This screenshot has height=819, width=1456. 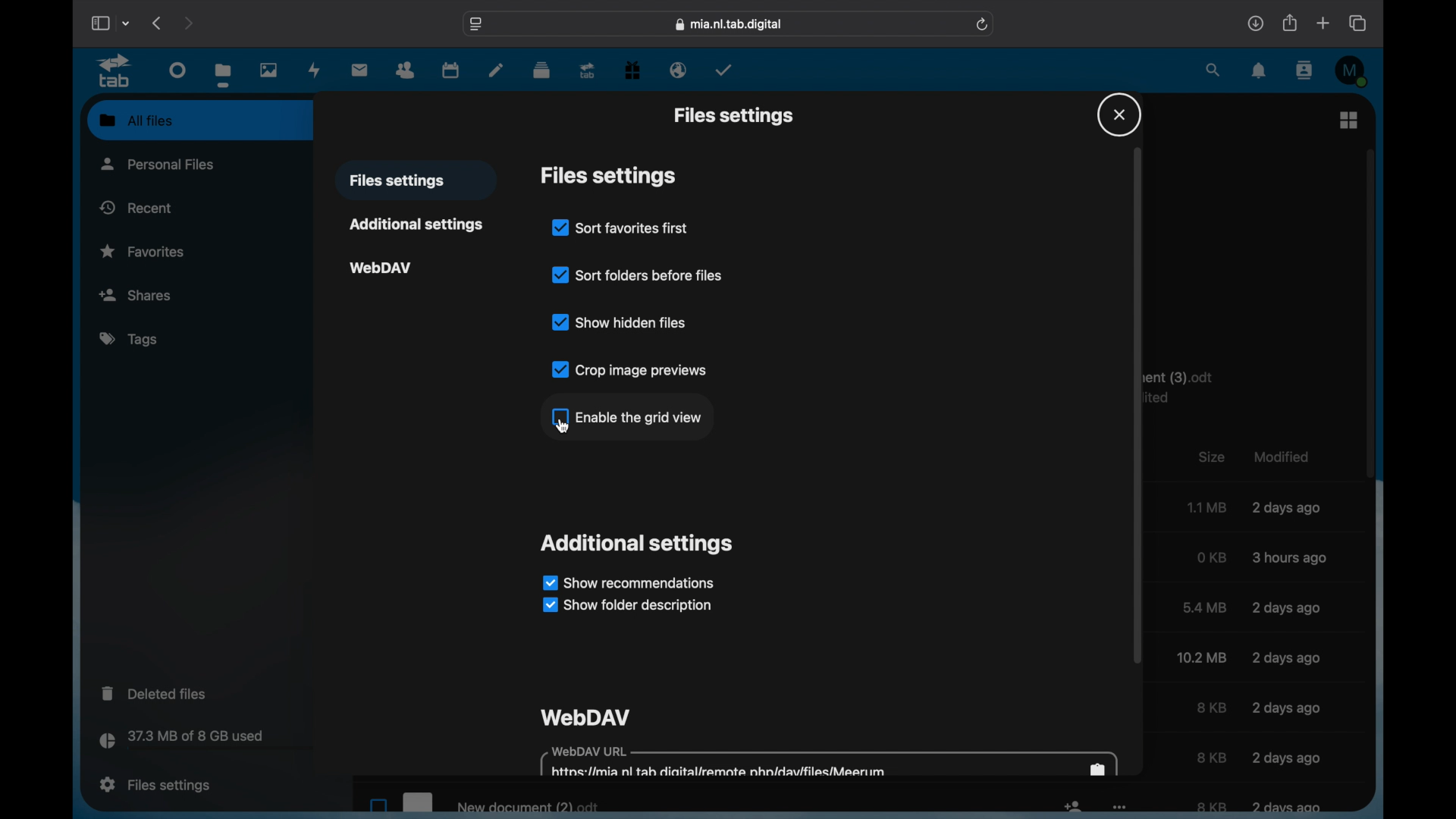 I want to click on scroll box, so click(x=1137, y=406).